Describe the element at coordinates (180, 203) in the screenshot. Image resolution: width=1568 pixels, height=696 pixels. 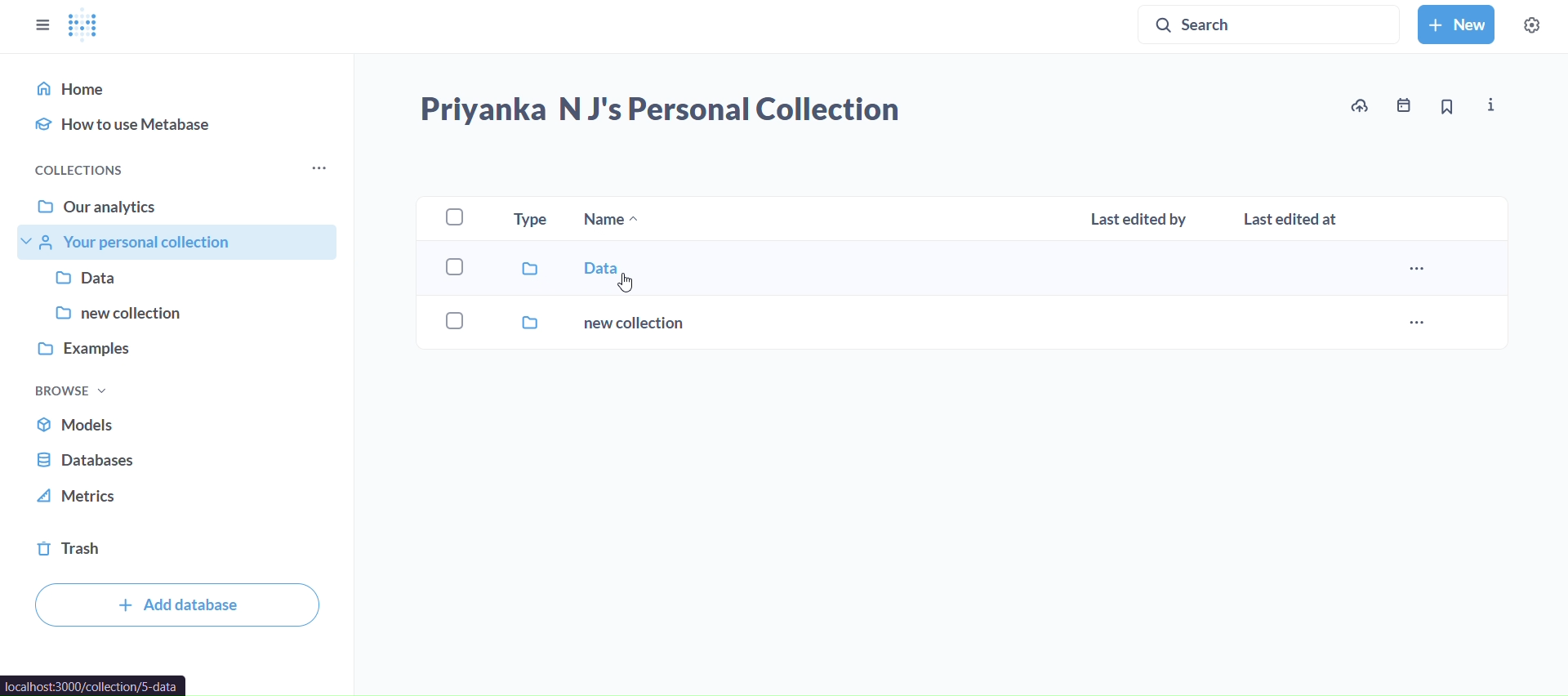
I see `our analytics` at that location.